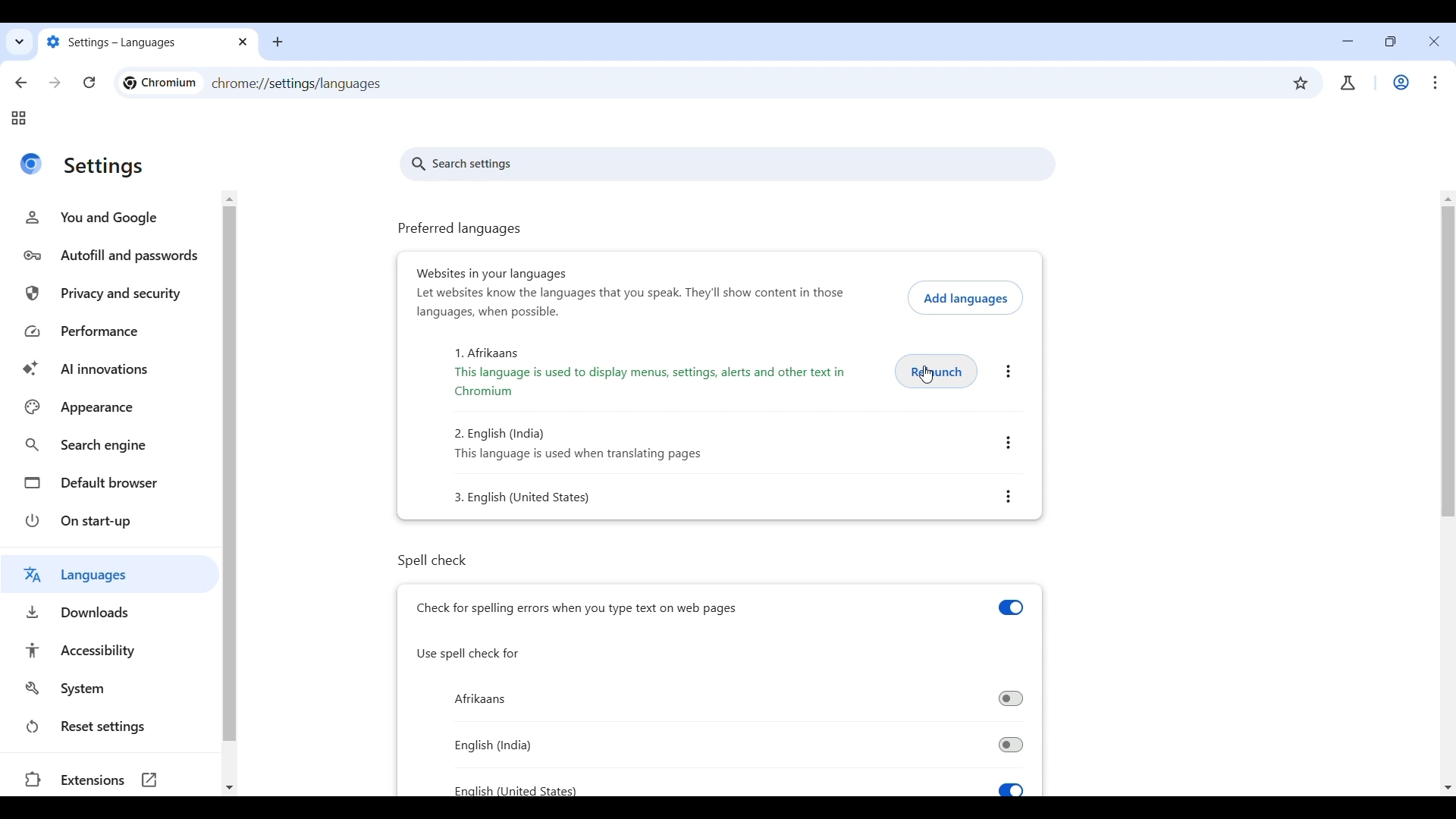 This screenshot has width=1456, height=819. I want to click on Downloads, so click(109, 612).